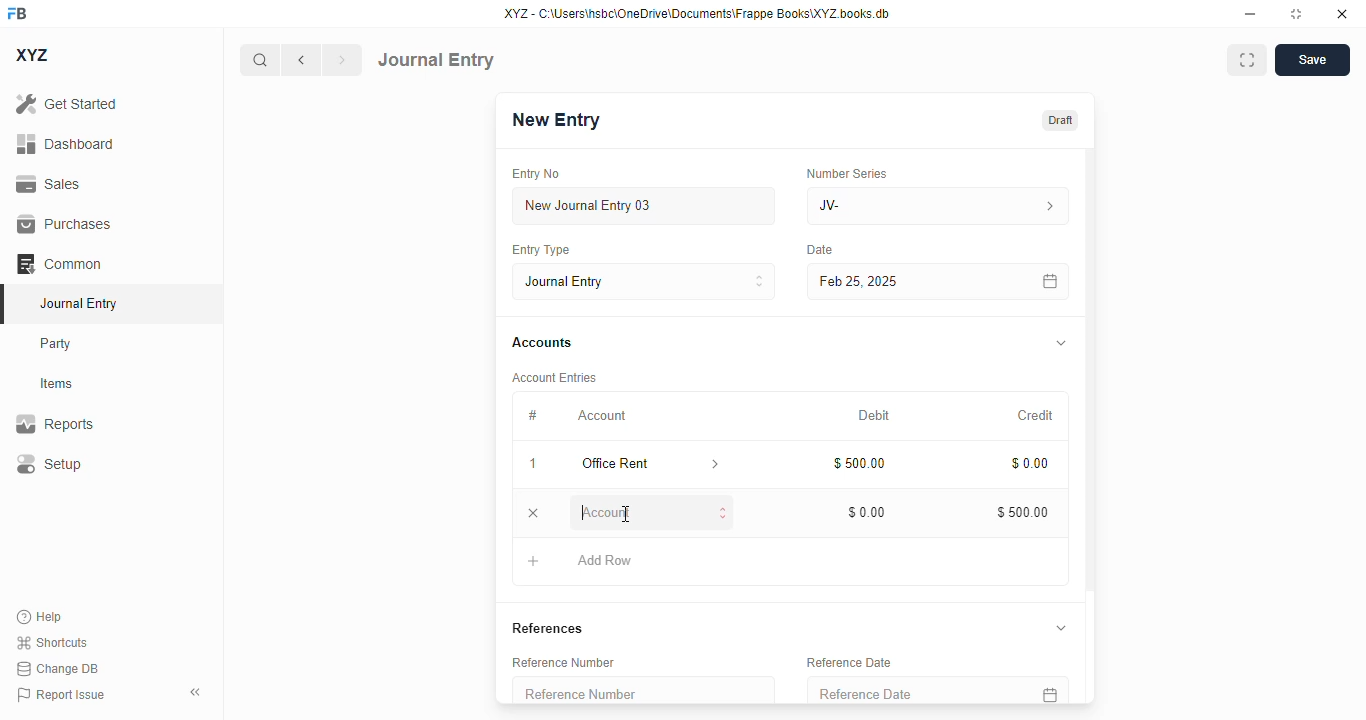 This screenshot has height=720, width=1366. I want to click on cursor, so click(626, 514).